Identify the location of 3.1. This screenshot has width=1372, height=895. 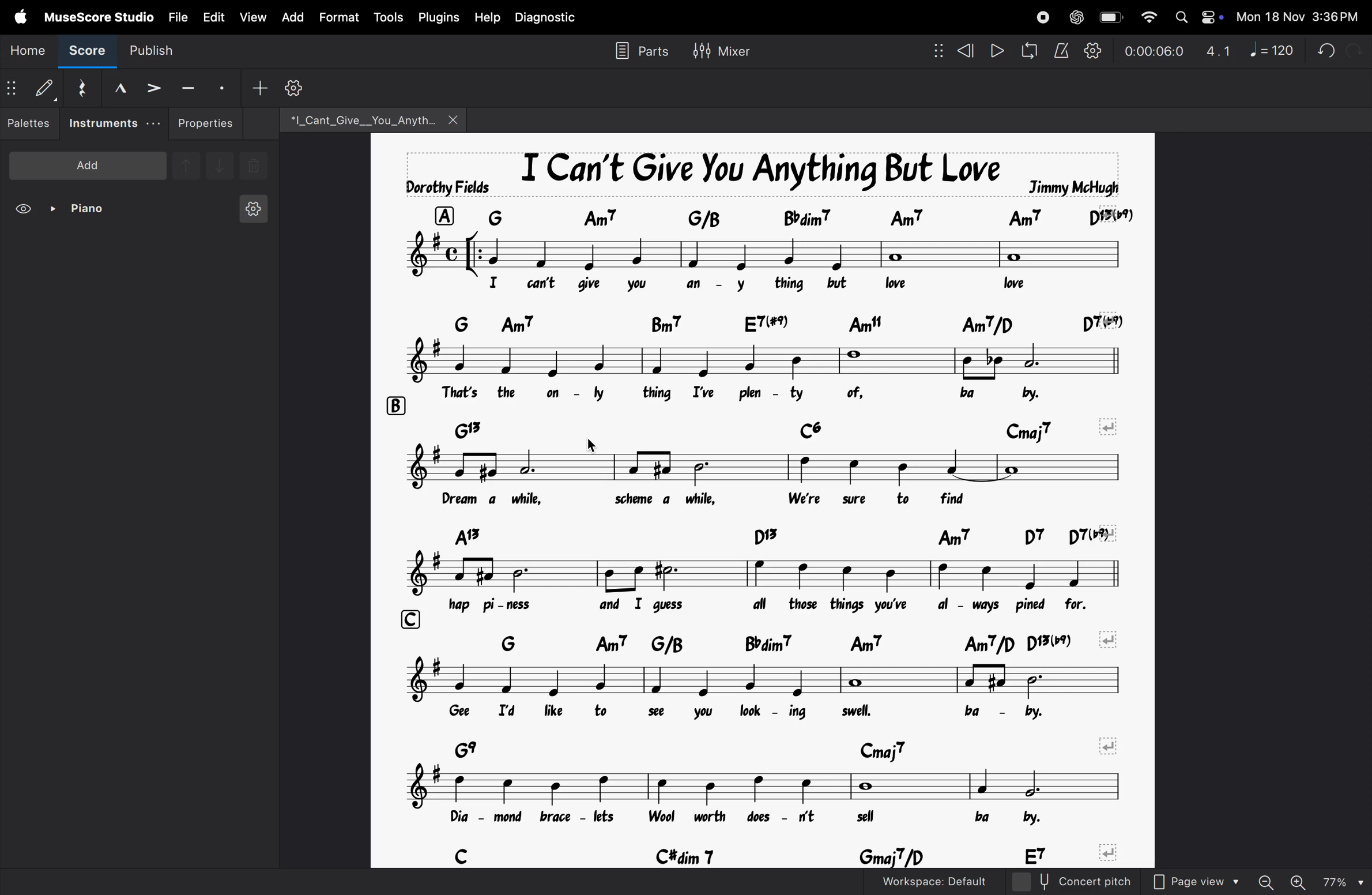
(1215, 49).